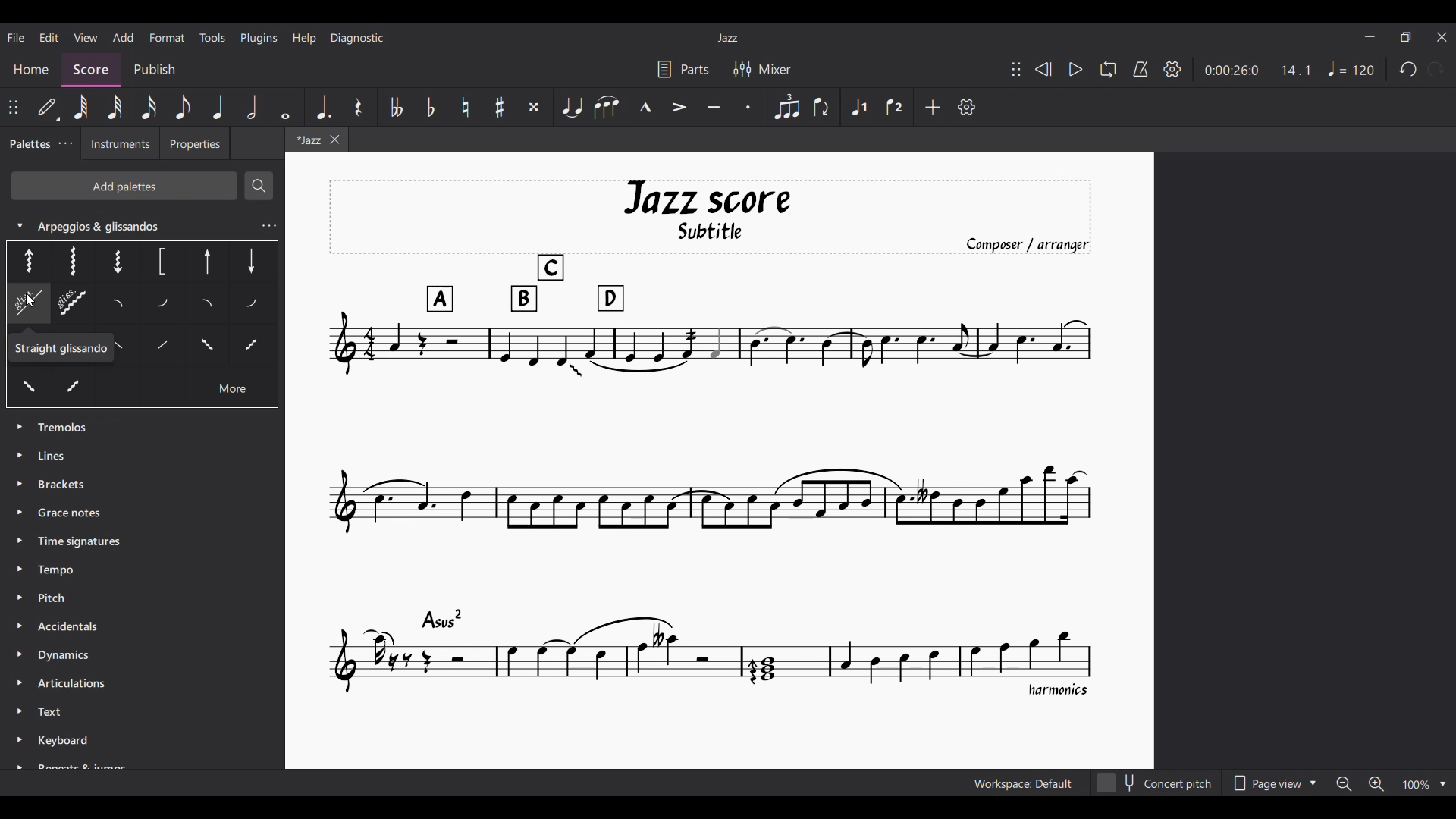 The width and height of the screenshot is (1456, 819). What do you see at coordinates (74, 388) in the screenshot?
I see `Palate 19` at bounding box center [74, 388].